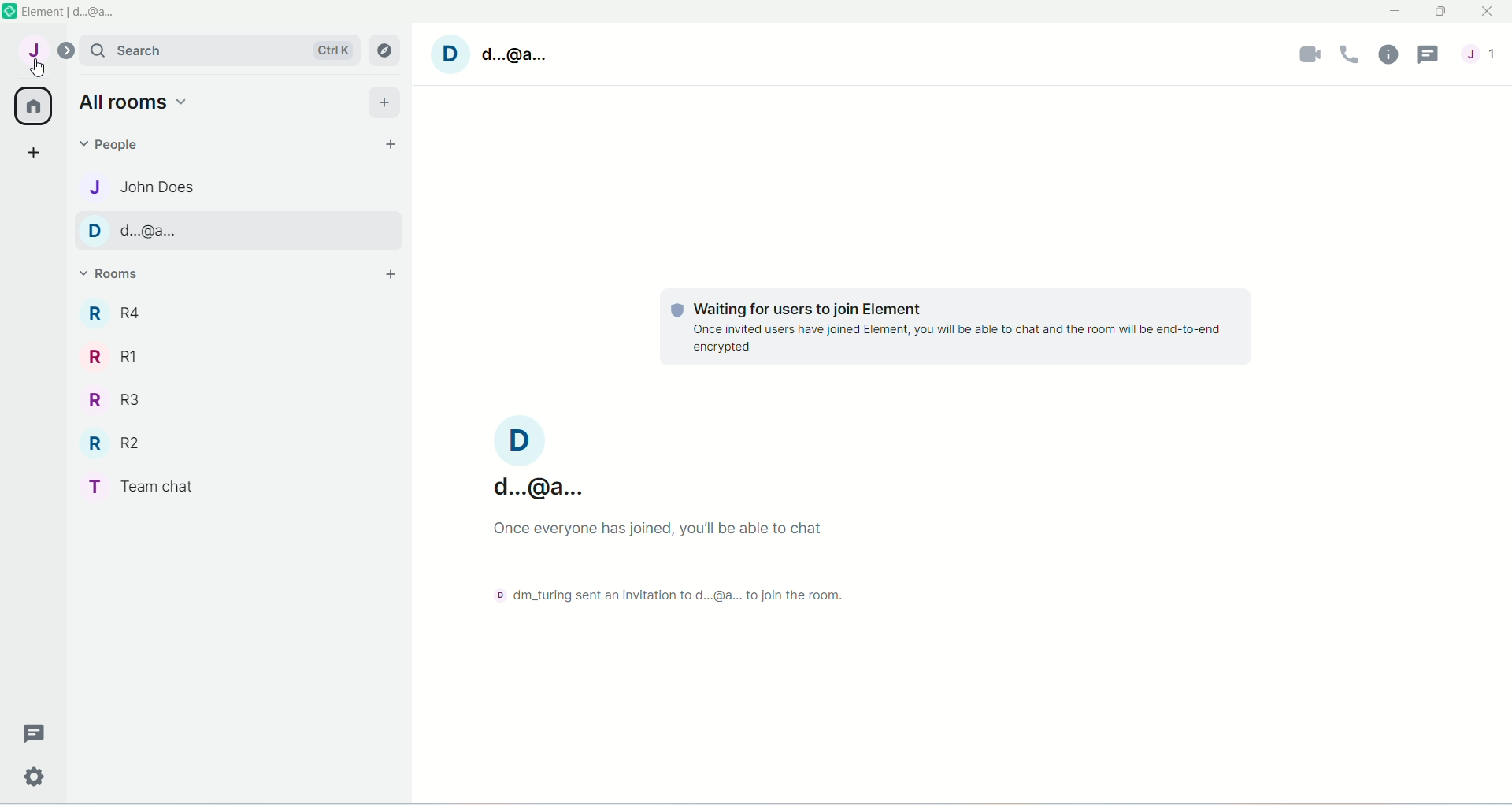  I want to click on Rooms, so click(126, 273).